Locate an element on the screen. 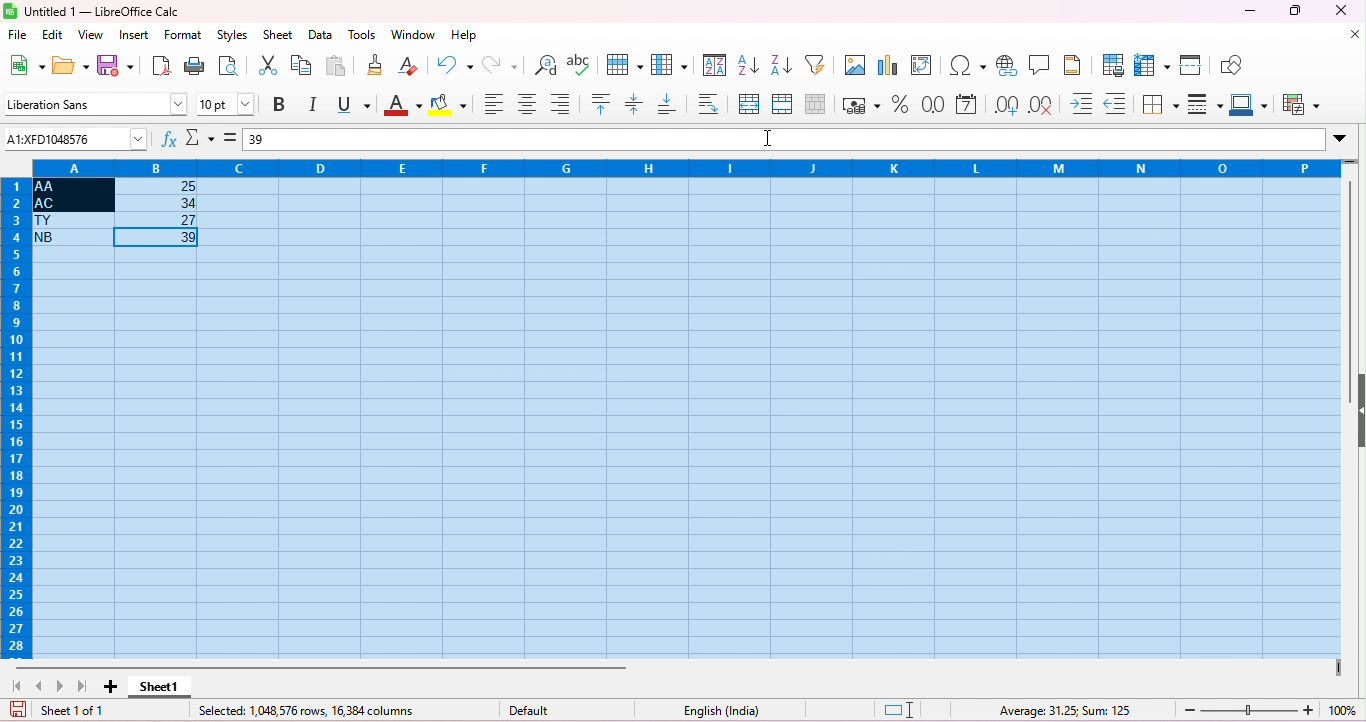 Image resolution: width=1366 pixels, height=722 pixels. formula bar is located at coordinates (797, 140).